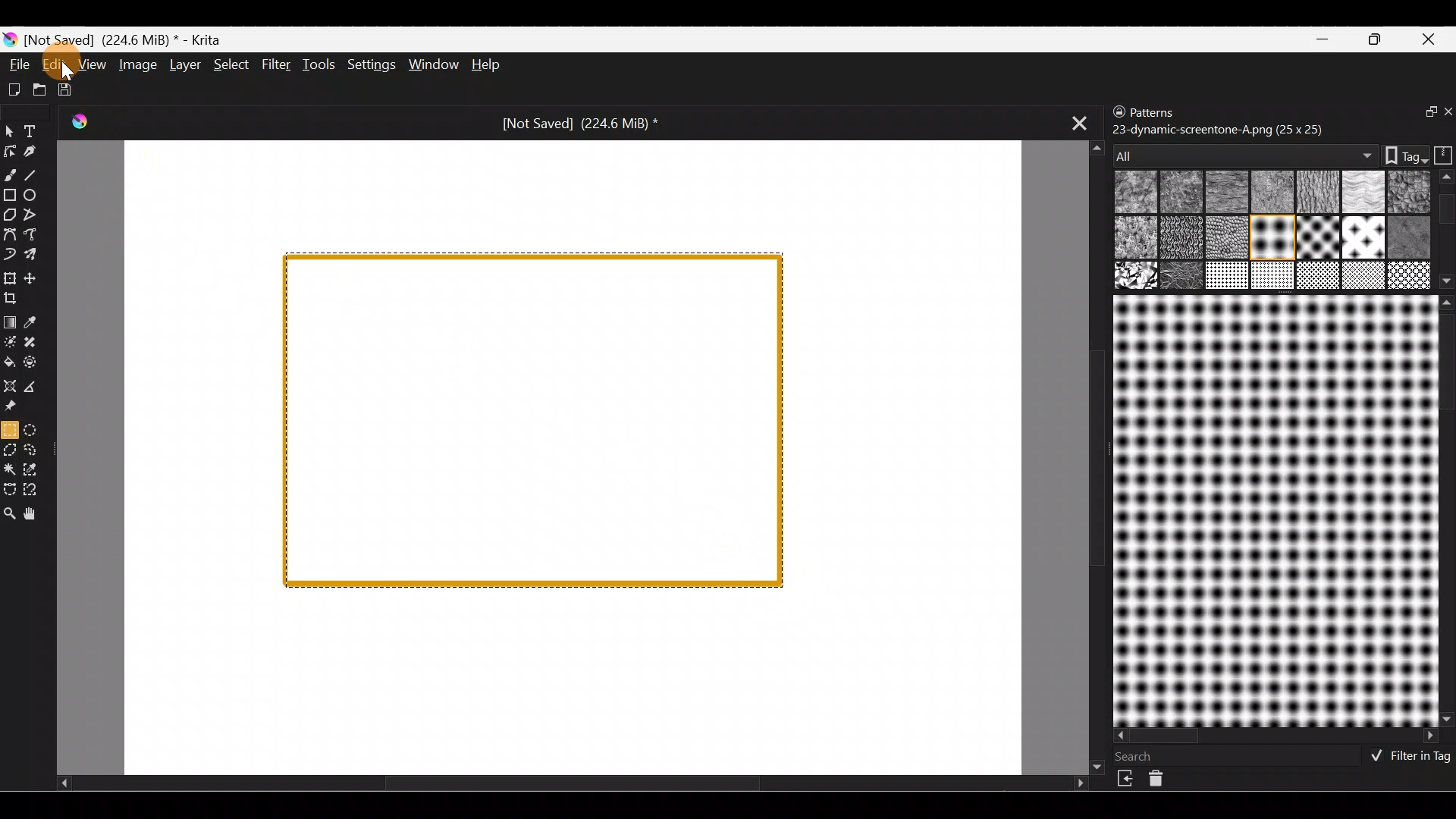  Describe the element at coordinates (579, 124) in the screenshot. I see `[Not Saved] (214.5 MiB) *` at that location.